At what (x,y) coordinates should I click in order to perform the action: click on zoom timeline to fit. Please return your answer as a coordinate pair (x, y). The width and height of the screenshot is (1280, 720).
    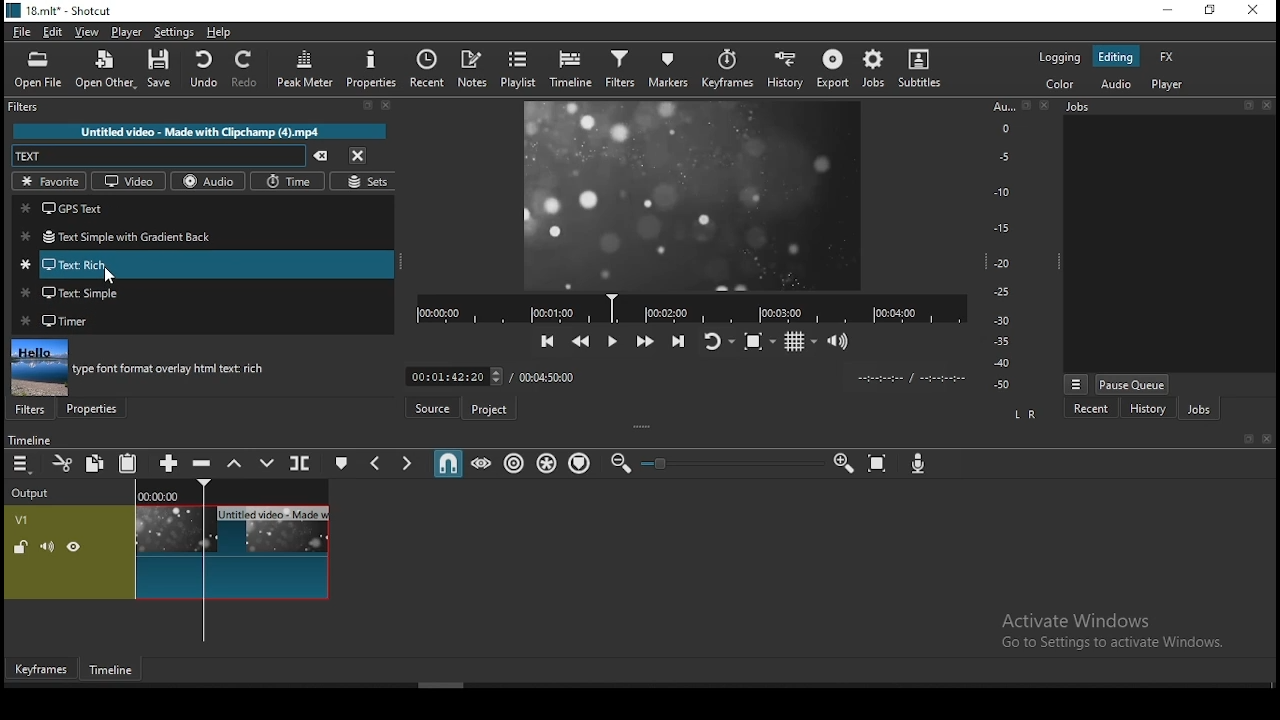
    Looking at the image, I should click on (878, 463).